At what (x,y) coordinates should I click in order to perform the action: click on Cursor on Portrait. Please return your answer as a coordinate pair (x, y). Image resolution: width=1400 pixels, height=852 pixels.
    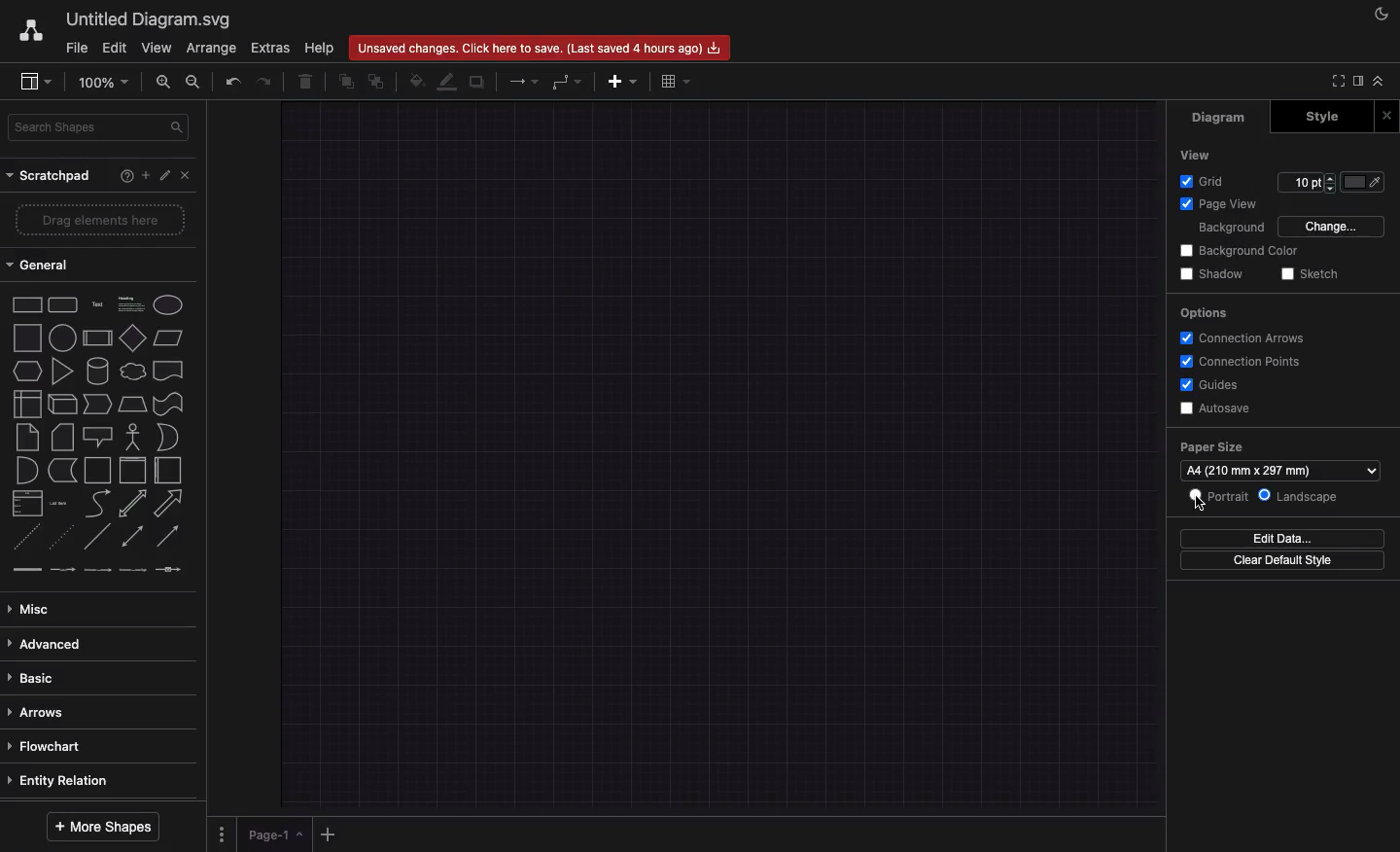
    Looking at the image, I should click on (1201, 505).